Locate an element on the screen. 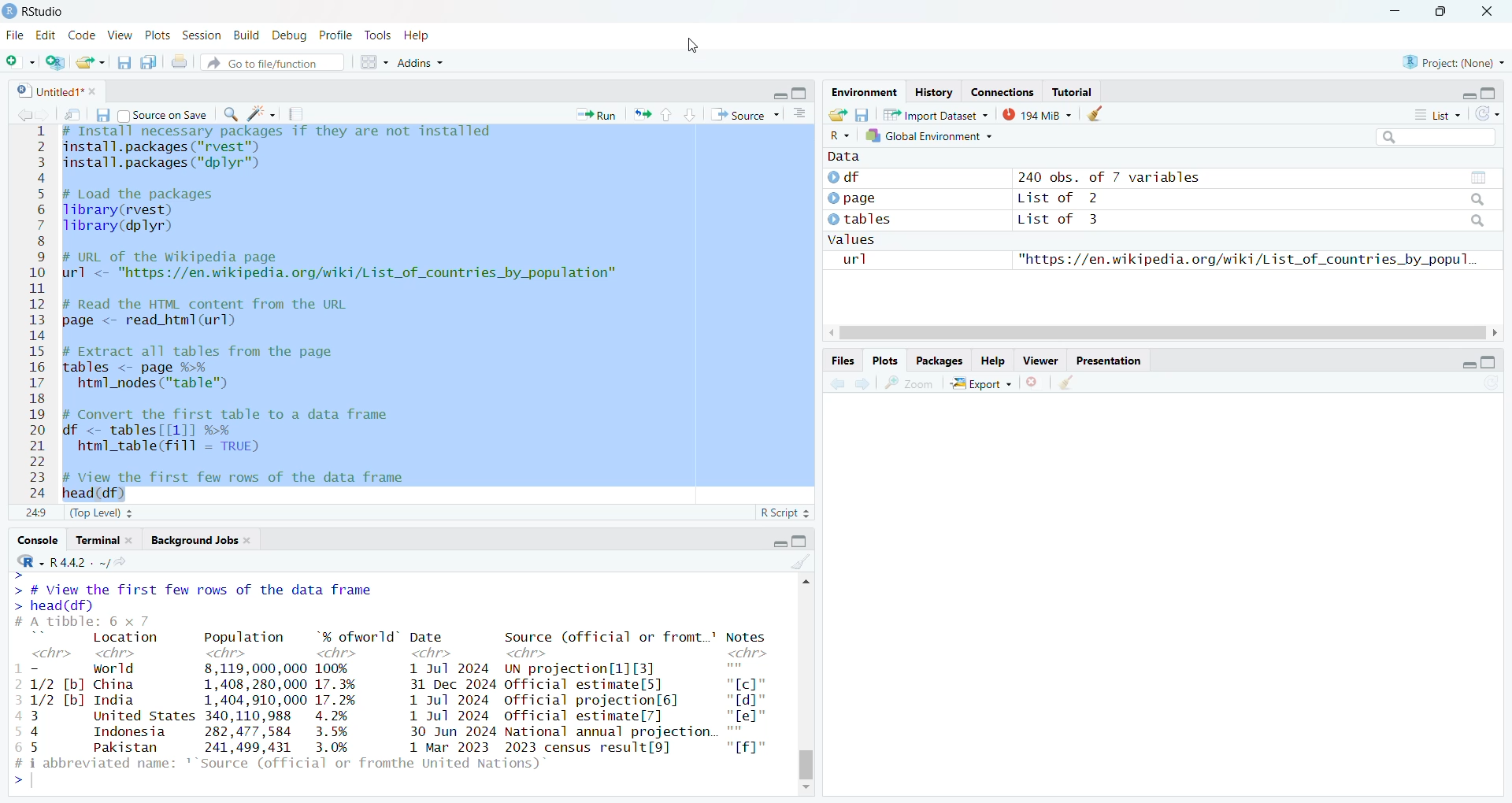 This screenshot has height=803, width=1512. show in new window is located at coordinates (72, 114).